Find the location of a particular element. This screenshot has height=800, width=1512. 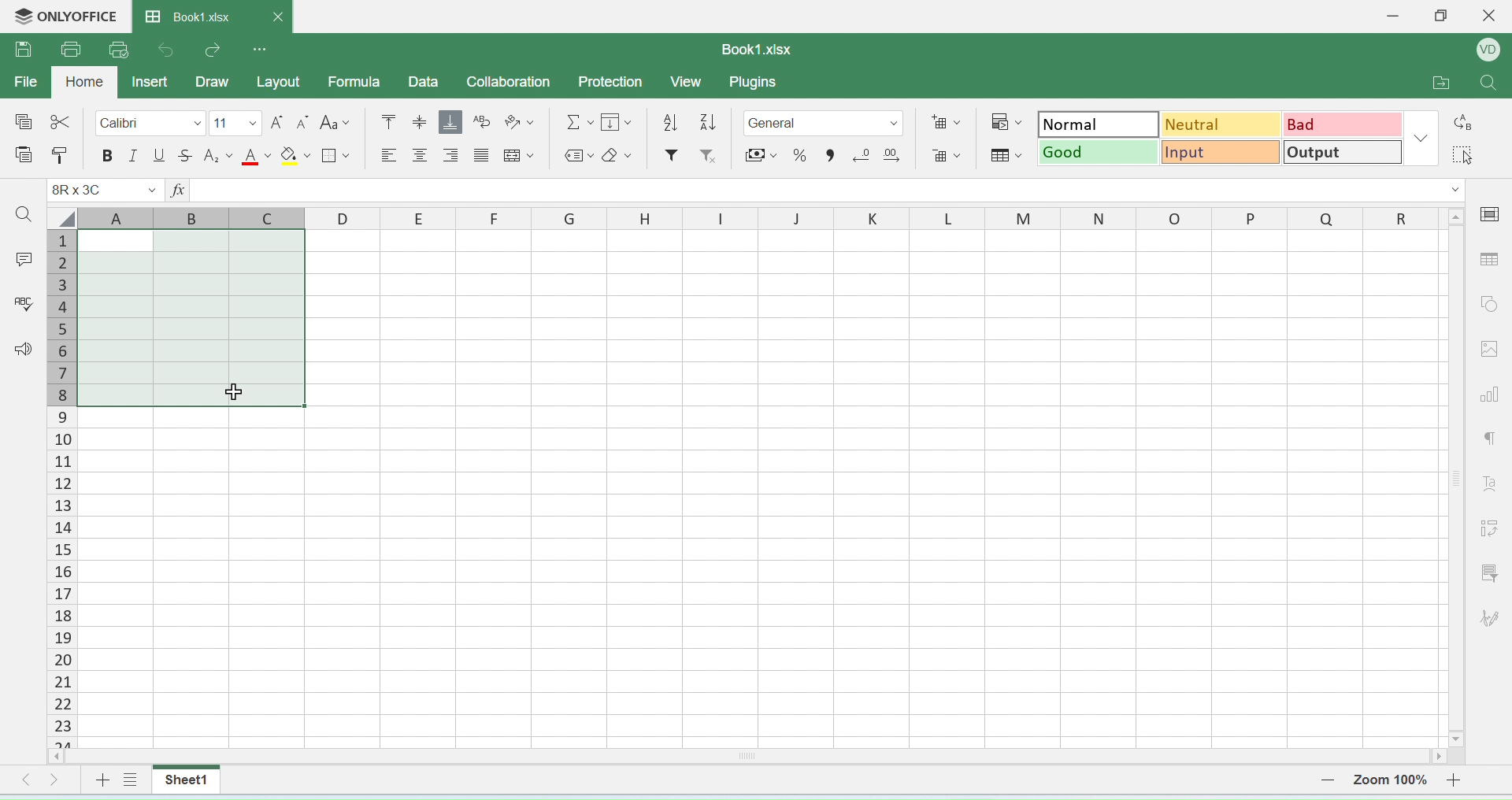

cursor is located at coordinates (235, 391).